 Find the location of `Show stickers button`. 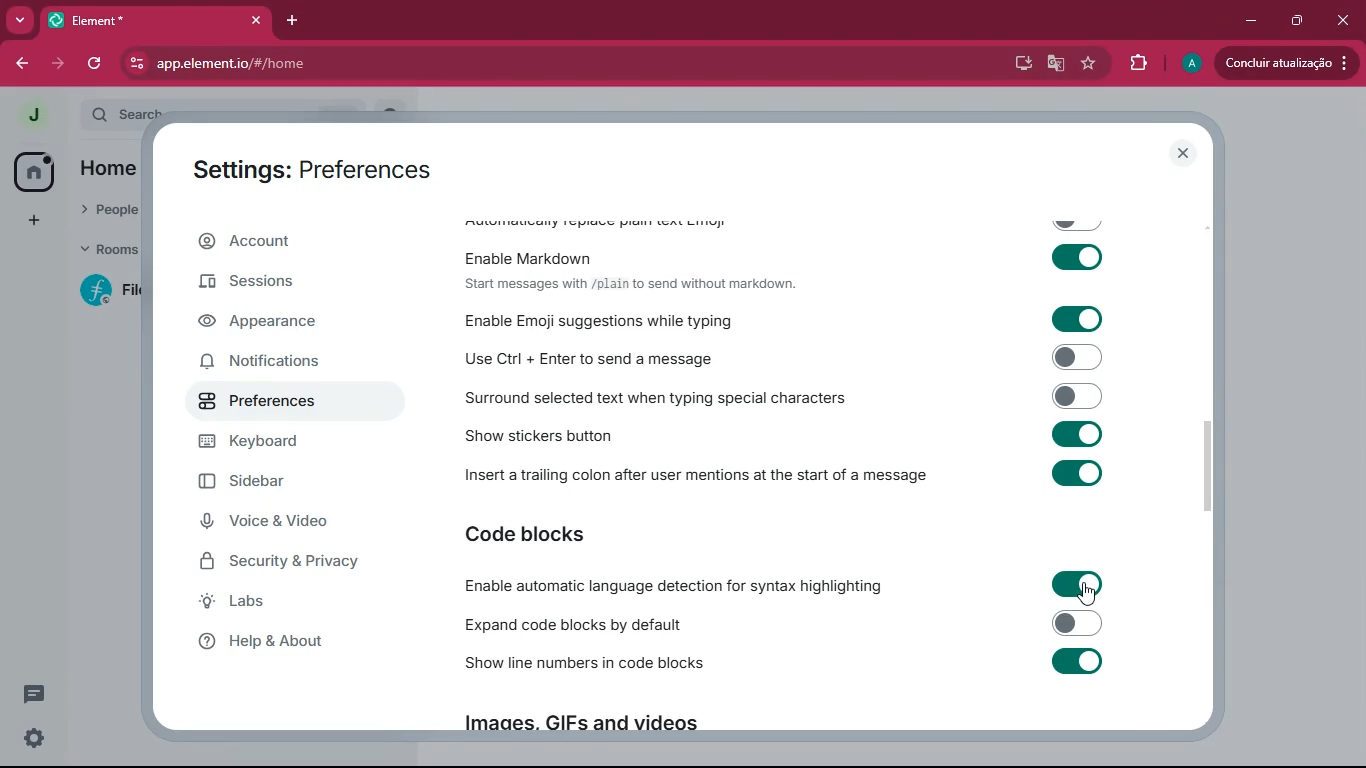

Show stickers button is located at coordinates (787, 435).